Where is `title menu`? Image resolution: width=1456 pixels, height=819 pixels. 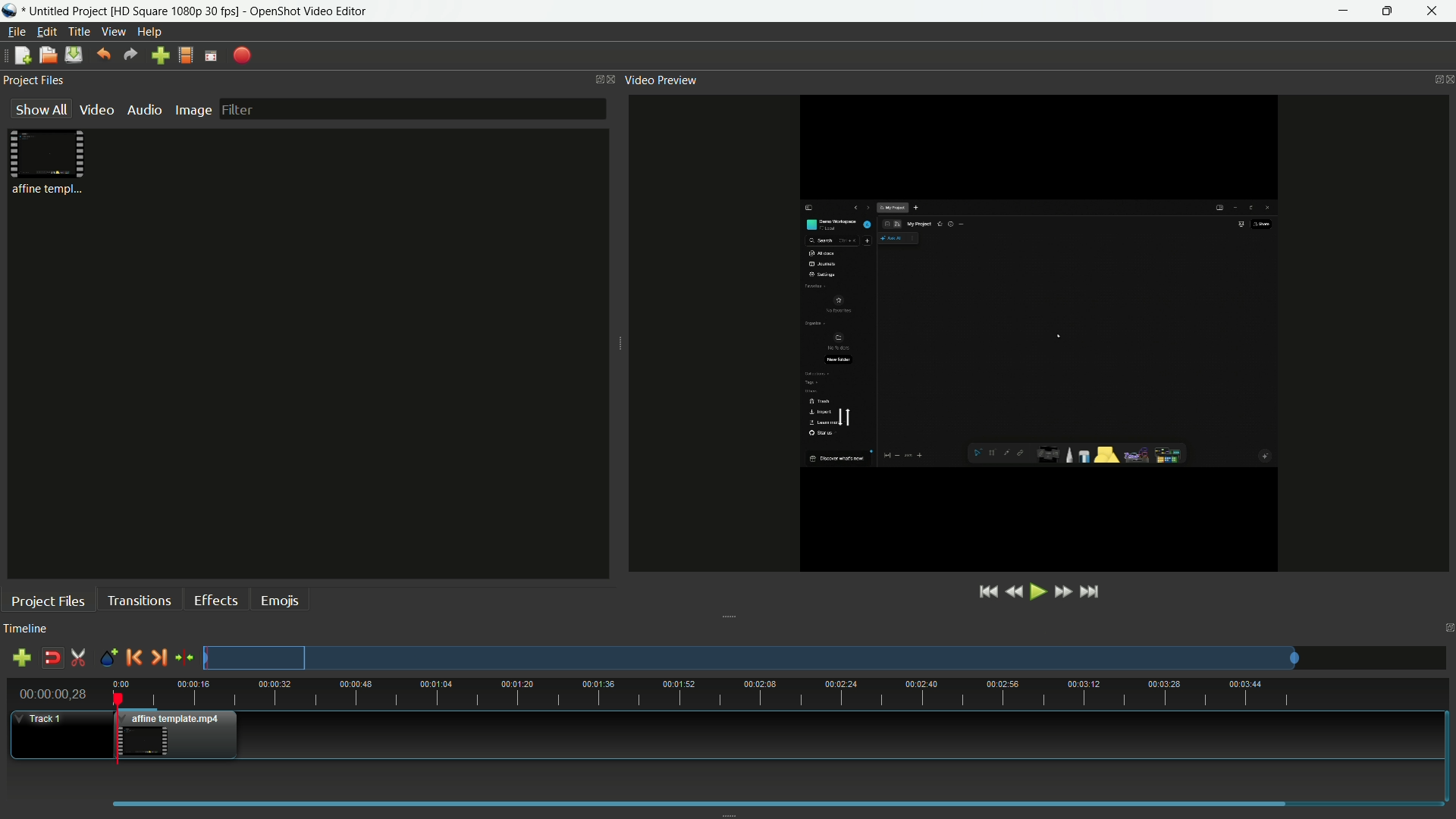 title menu is located at coordinates (79, 31).